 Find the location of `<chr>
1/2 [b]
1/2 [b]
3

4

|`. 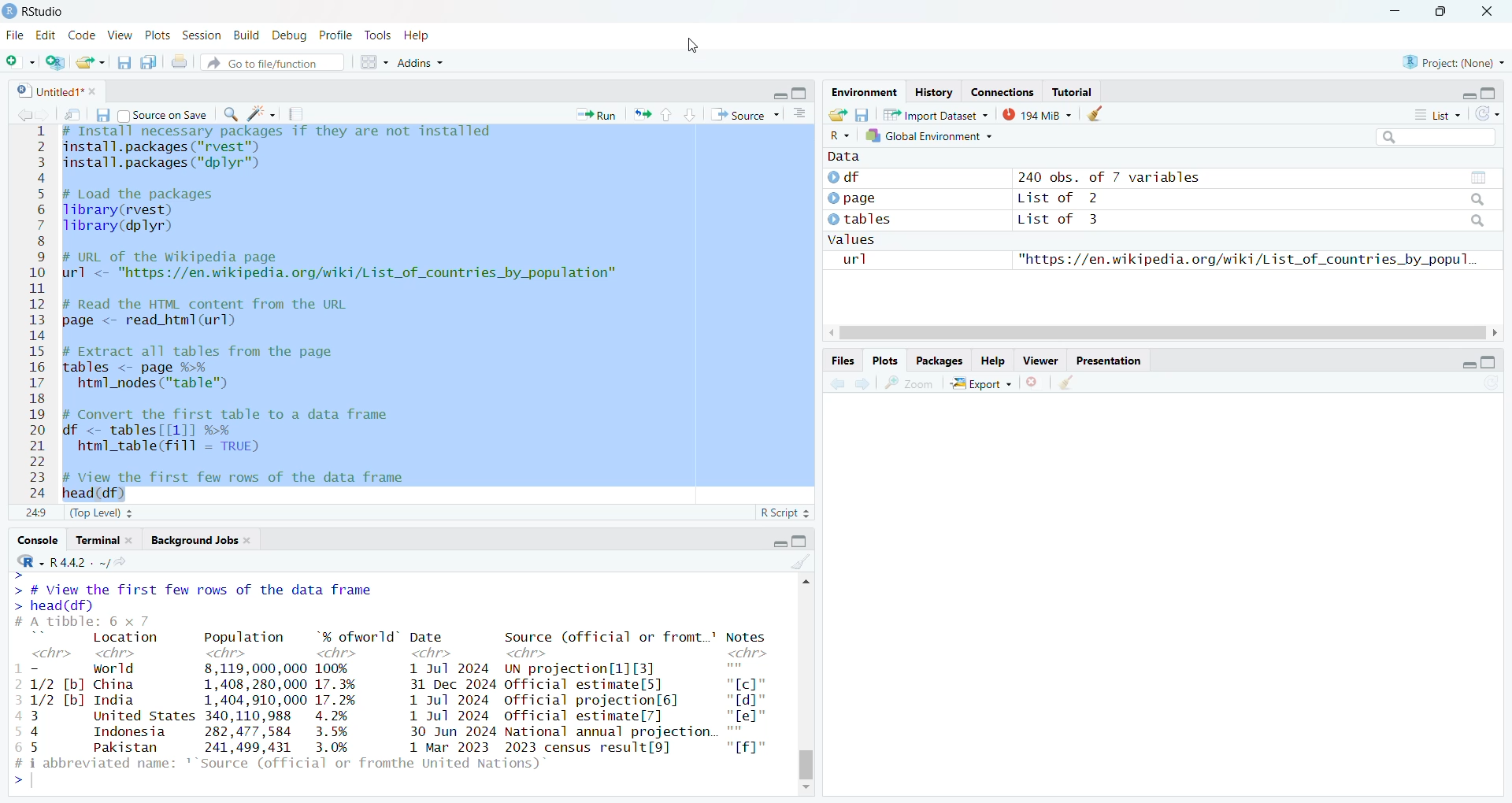

<chr>
1/2 [b]
1/2 [b]
3

4

| is located at coordinates (56, 700).